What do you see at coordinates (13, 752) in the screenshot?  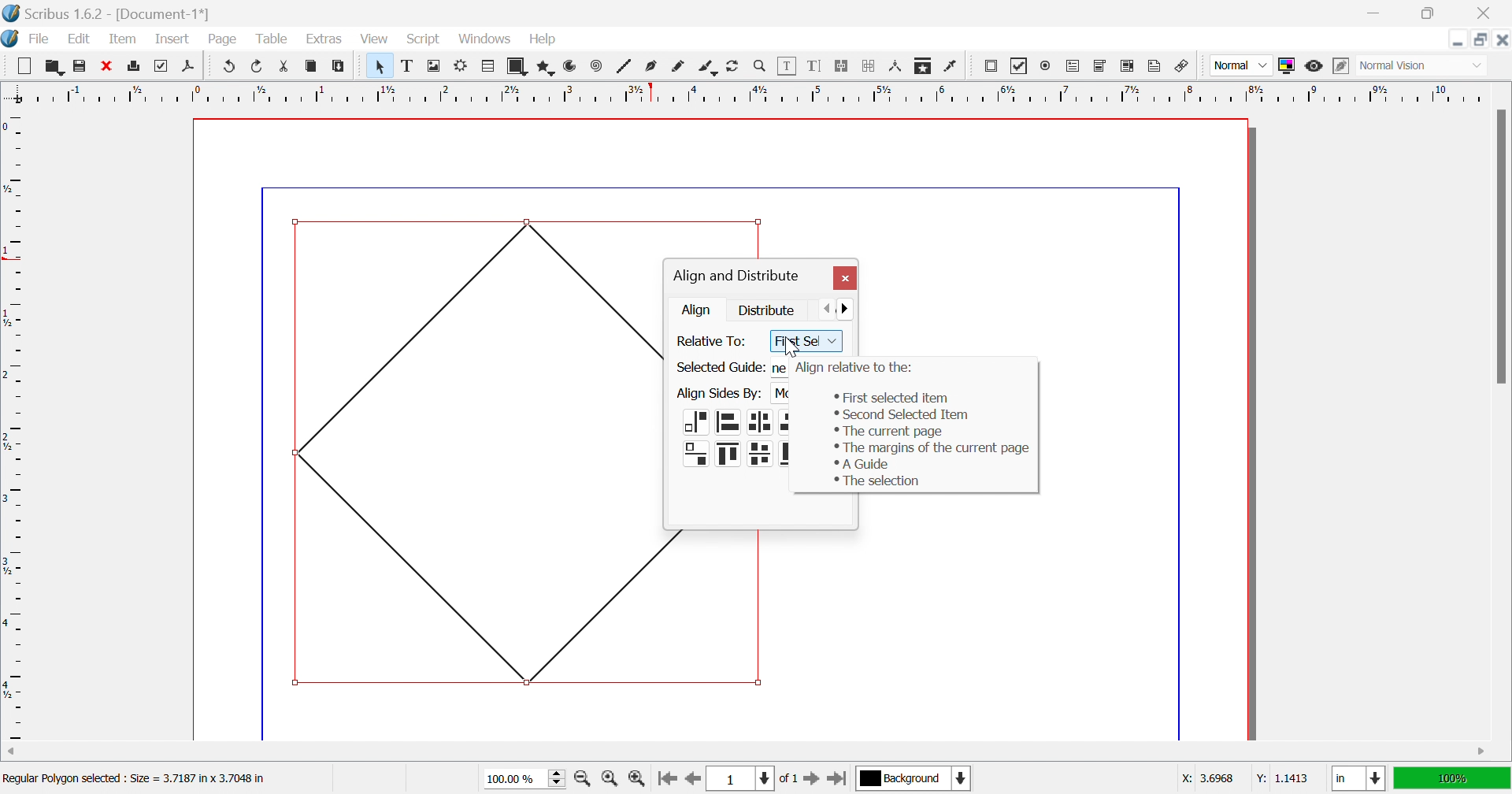 I see `Scroll left` at bounding box center [13, 752].